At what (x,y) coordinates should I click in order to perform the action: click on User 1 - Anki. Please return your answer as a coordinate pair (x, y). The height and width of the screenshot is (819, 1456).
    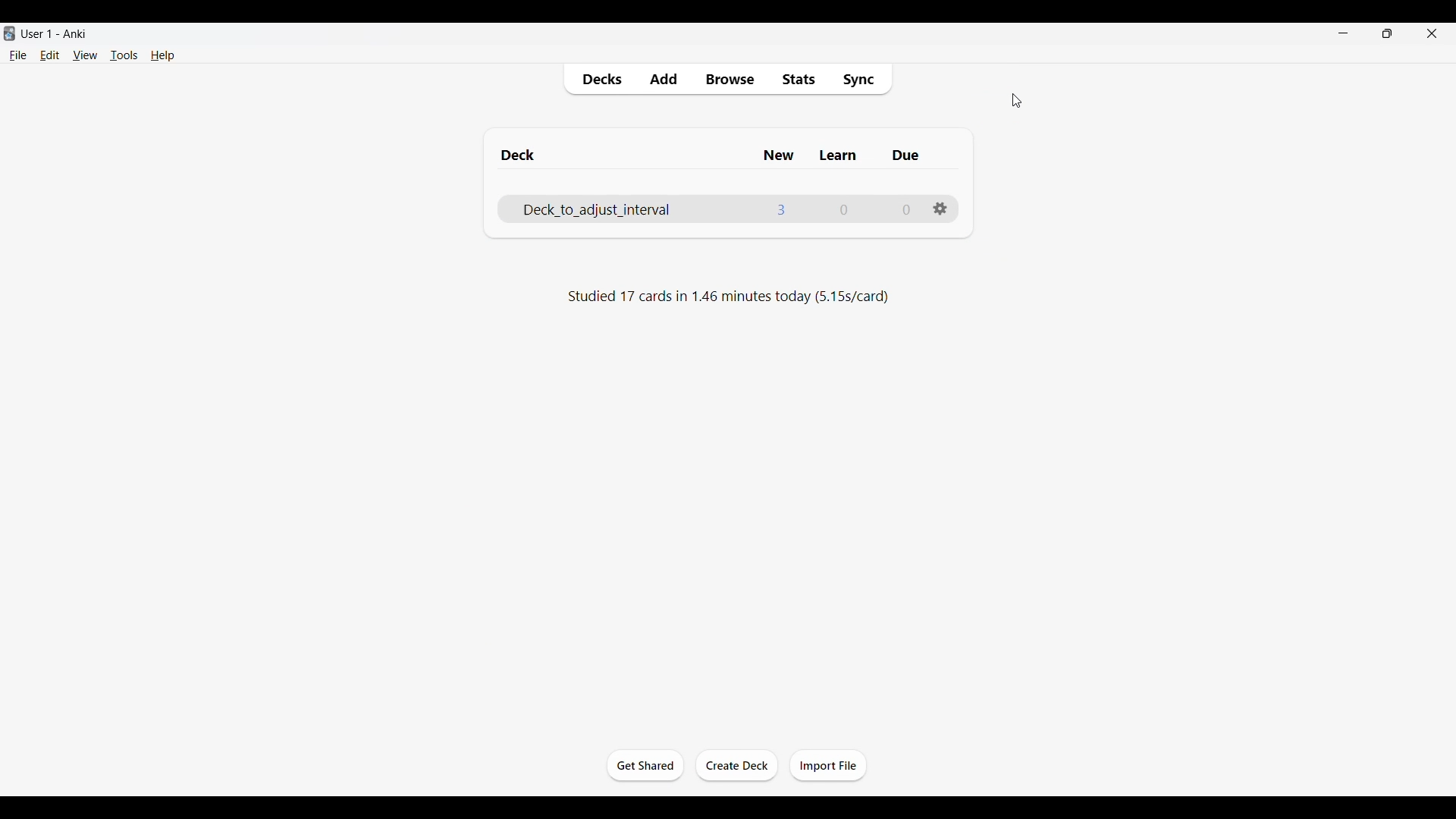
    Looking at the image, I should click on (56, 33).